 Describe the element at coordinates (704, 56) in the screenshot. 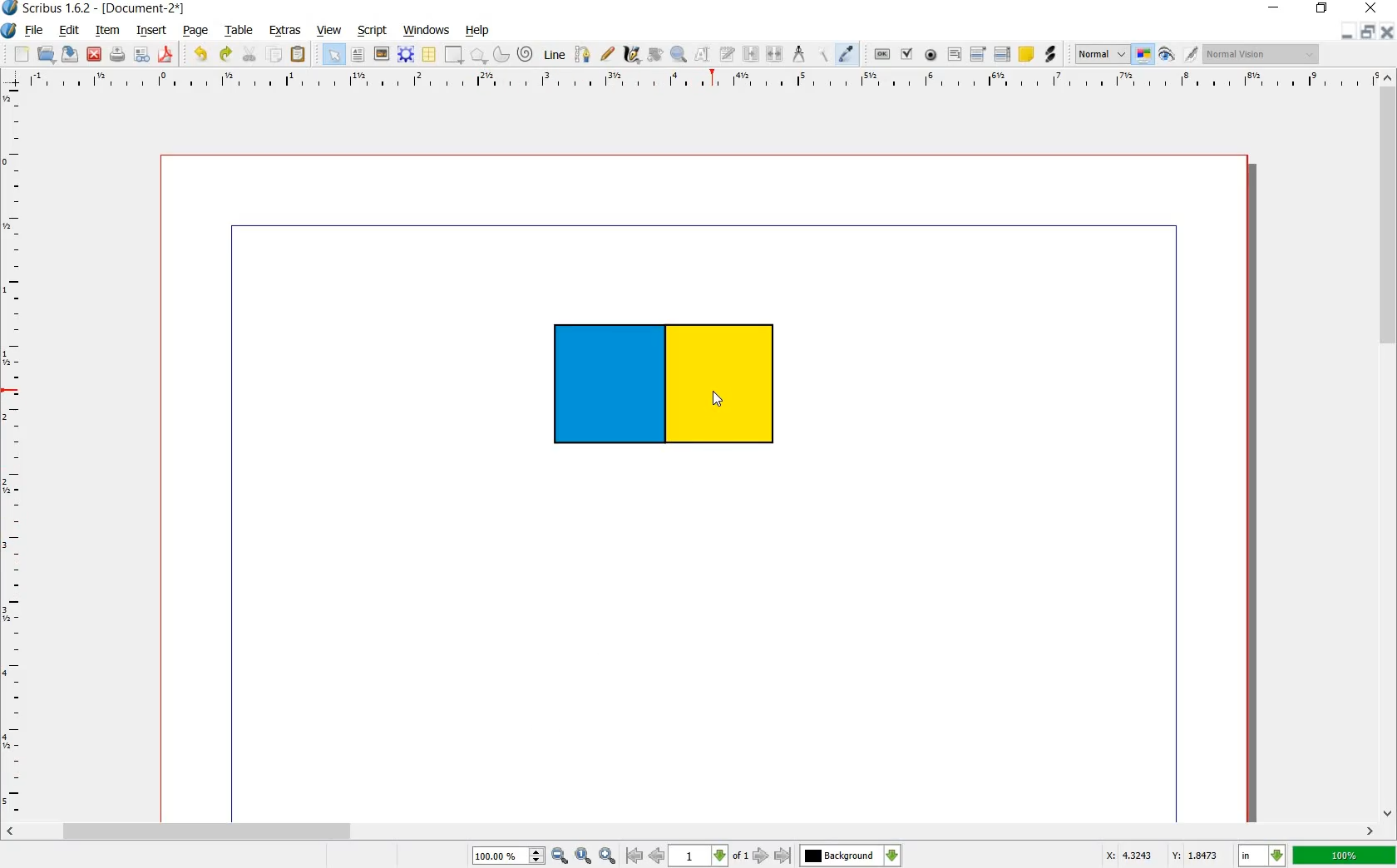

I see `edit contents of frame` at that location.